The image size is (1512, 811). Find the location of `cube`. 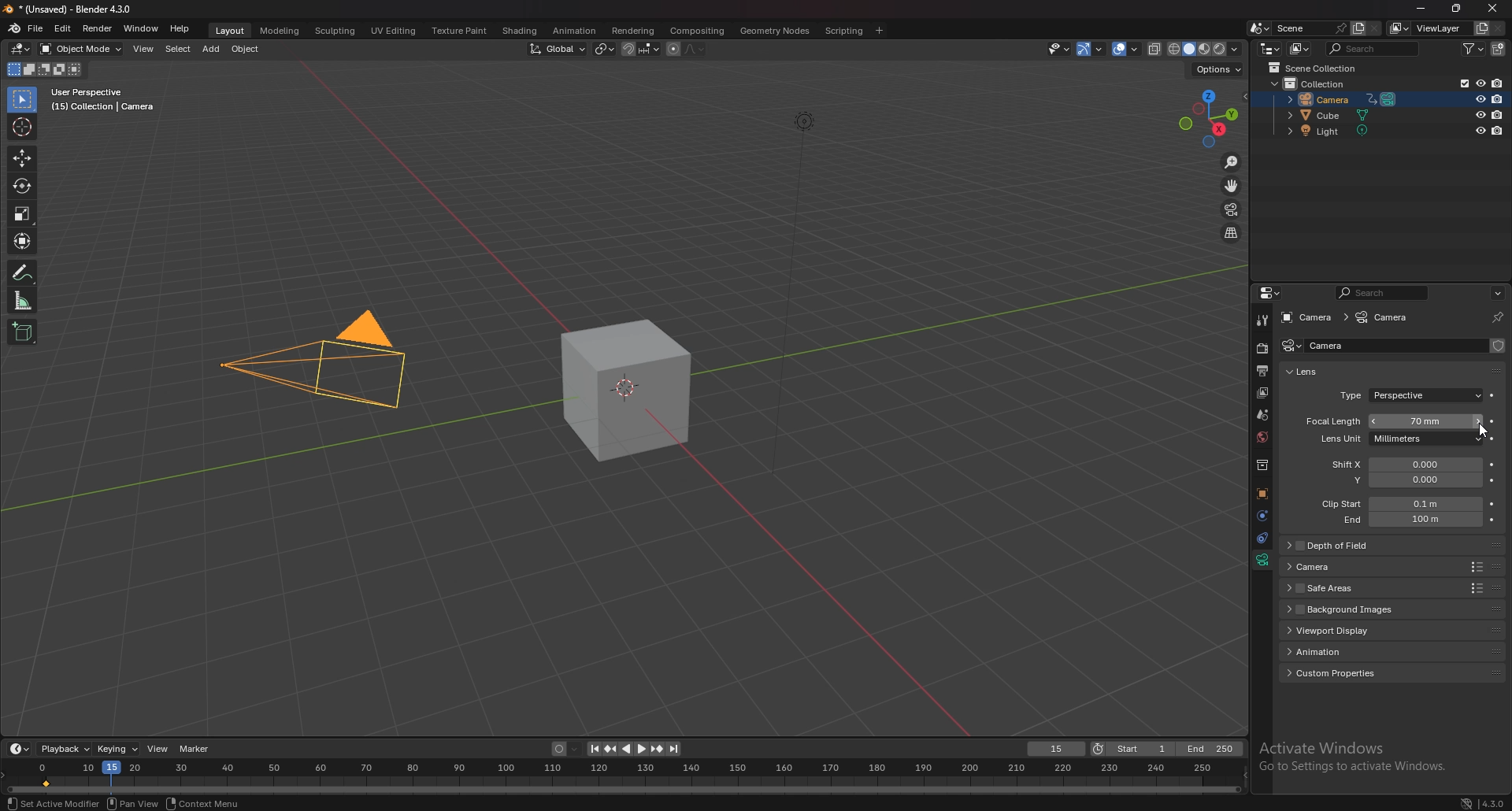

cube is located at coordinates (624, 391).